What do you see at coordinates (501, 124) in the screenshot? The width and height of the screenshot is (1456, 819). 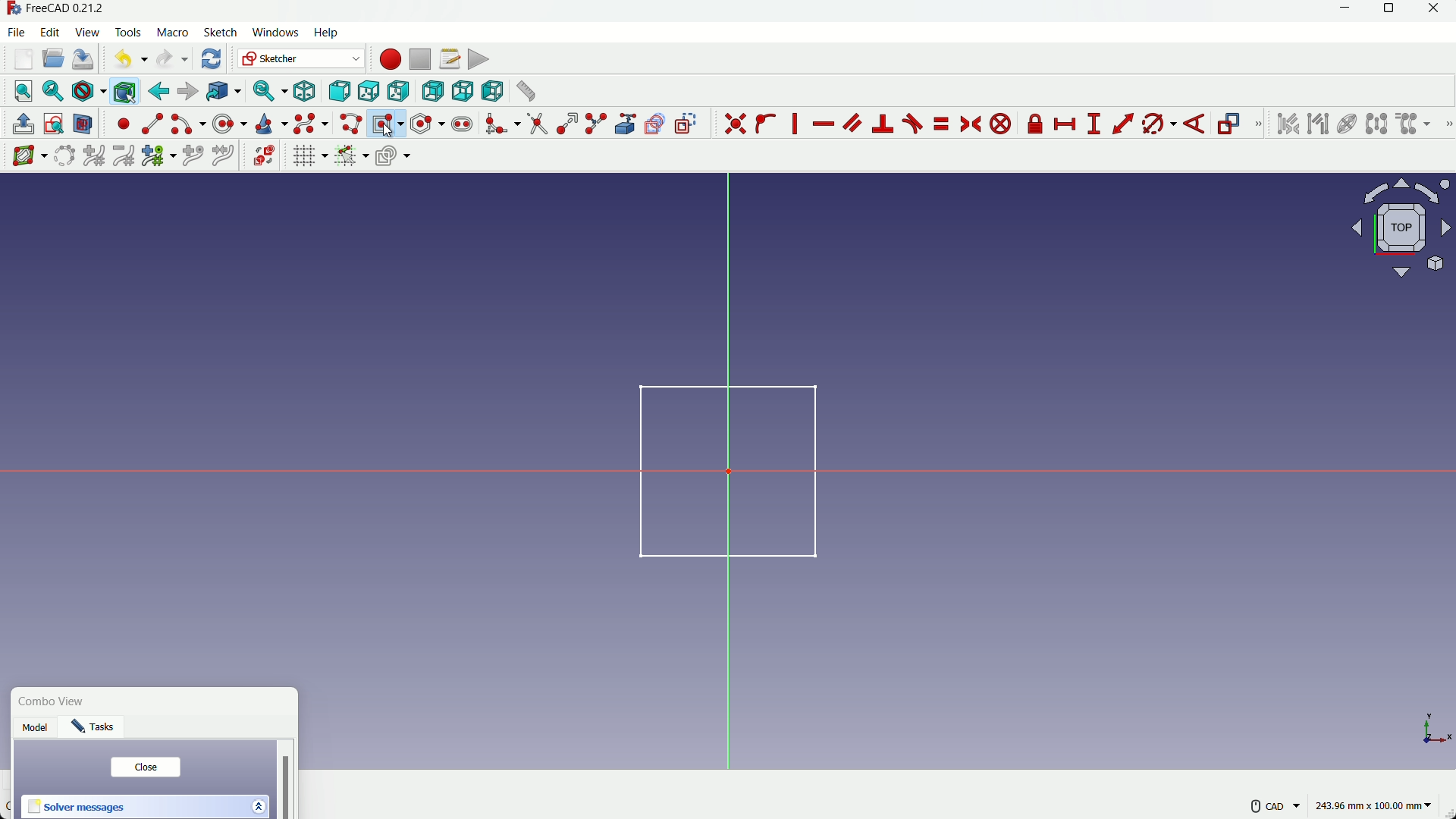 I see `create fillet` at bounding box center [501, 124].